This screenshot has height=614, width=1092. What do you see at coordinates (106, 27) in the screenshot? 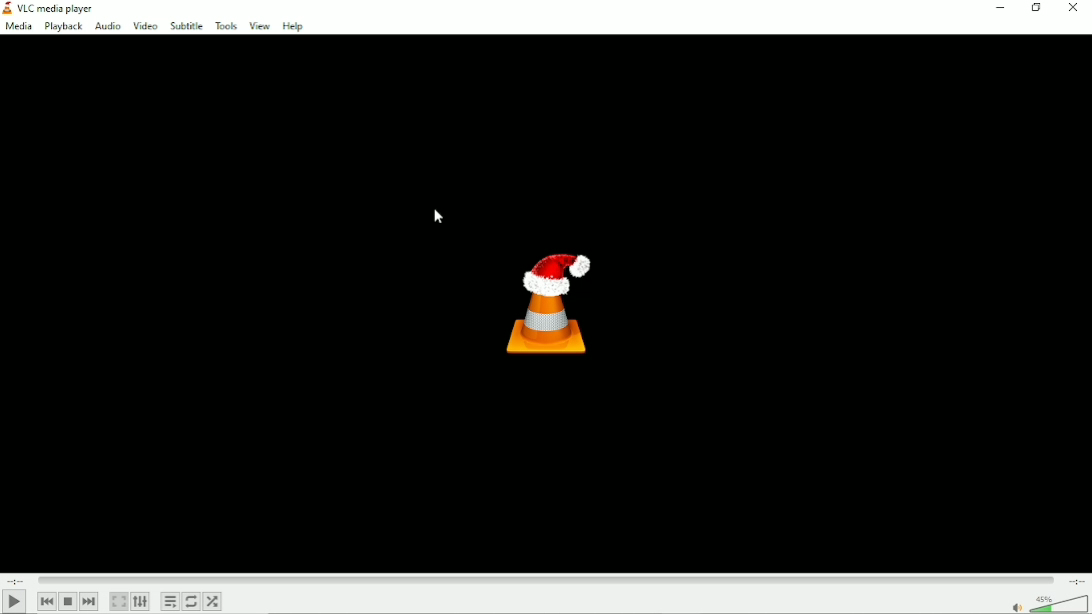
I see `Audio` at bounding box center [106, 27].